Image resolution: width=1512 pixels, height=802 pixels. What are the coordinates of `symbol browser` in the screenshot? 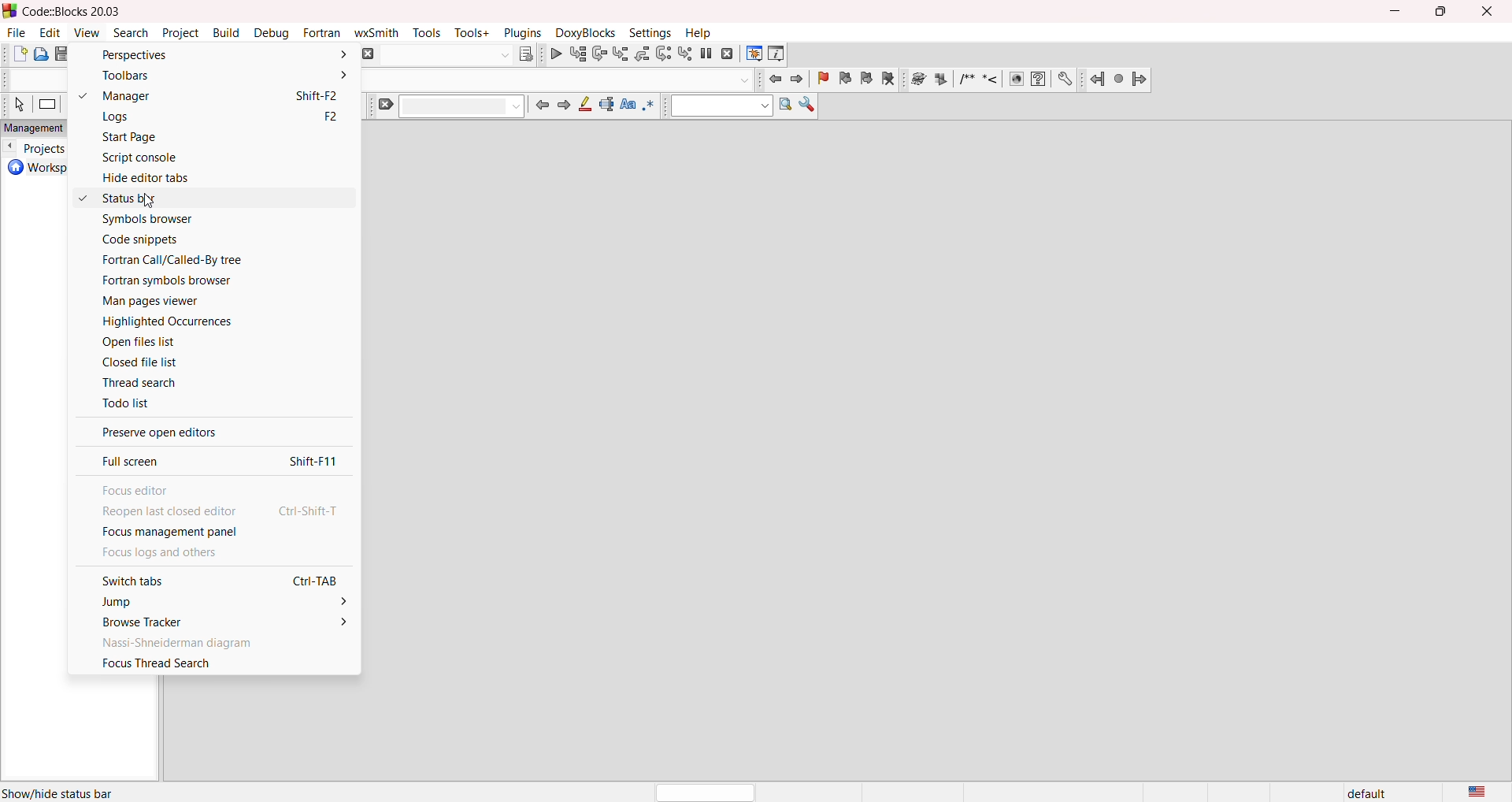 It's located at (209, 220).